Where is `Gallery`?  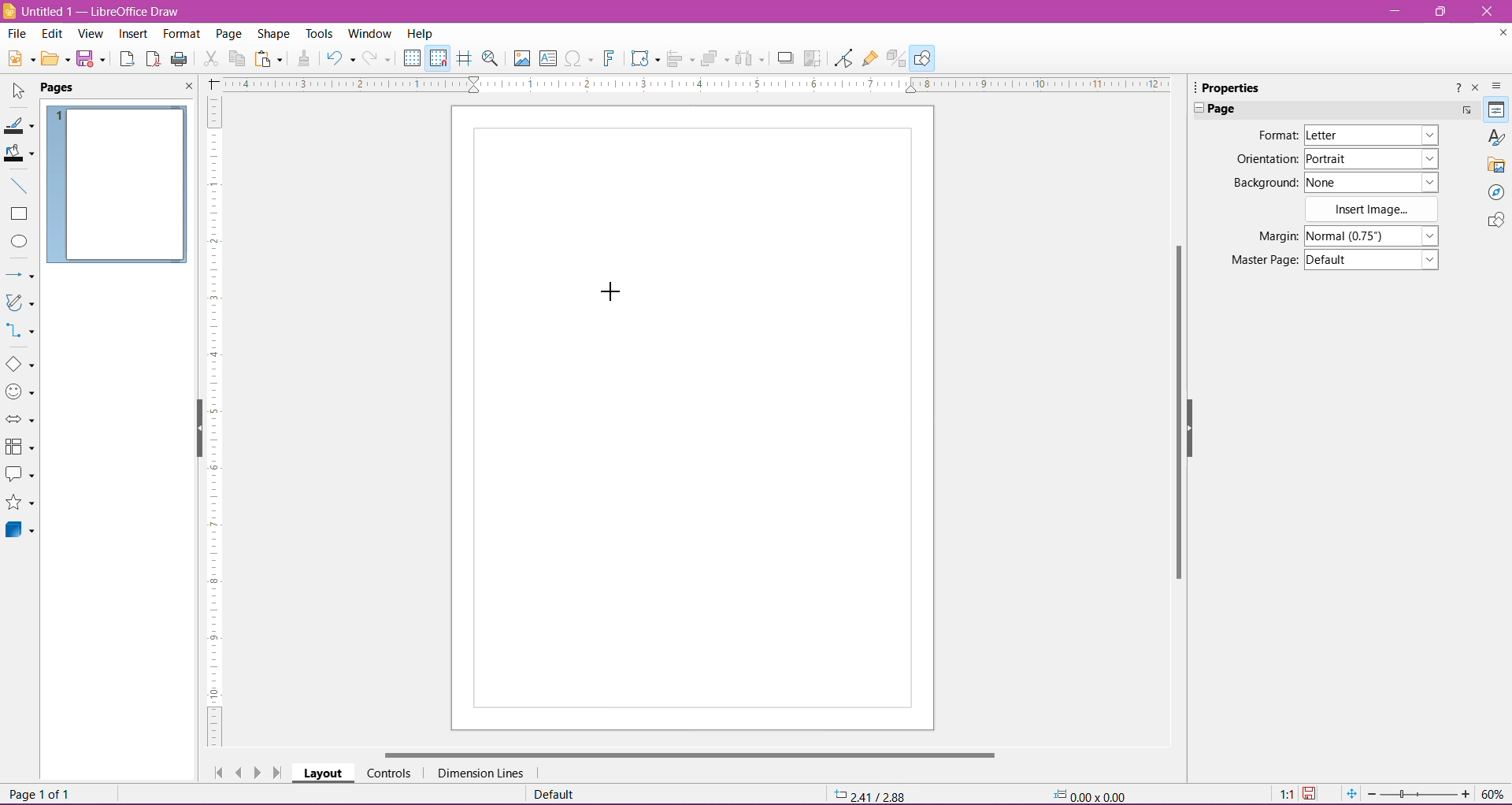 Gallery is located at coordinates (1496, 165).